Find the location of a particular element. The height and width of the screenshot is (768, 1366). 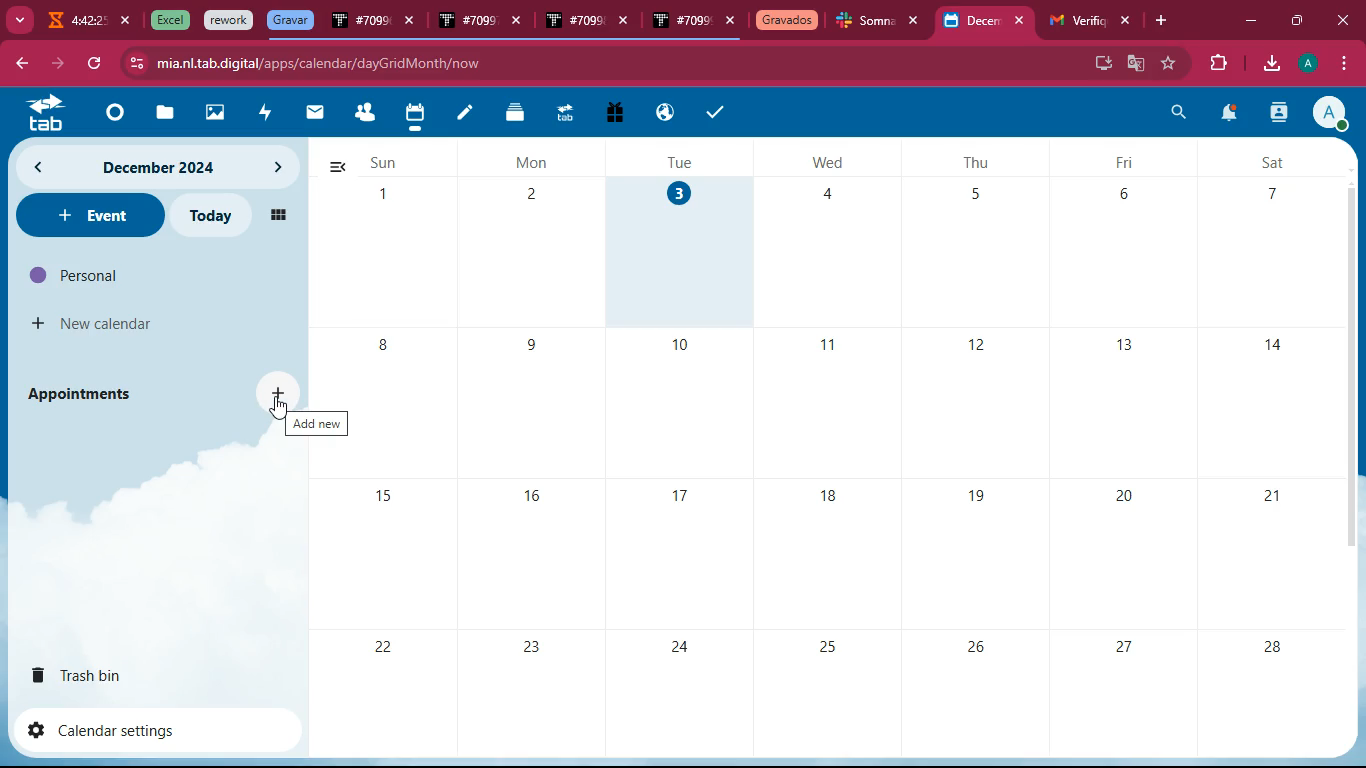

google translator is located at coordinates (1136, 63).